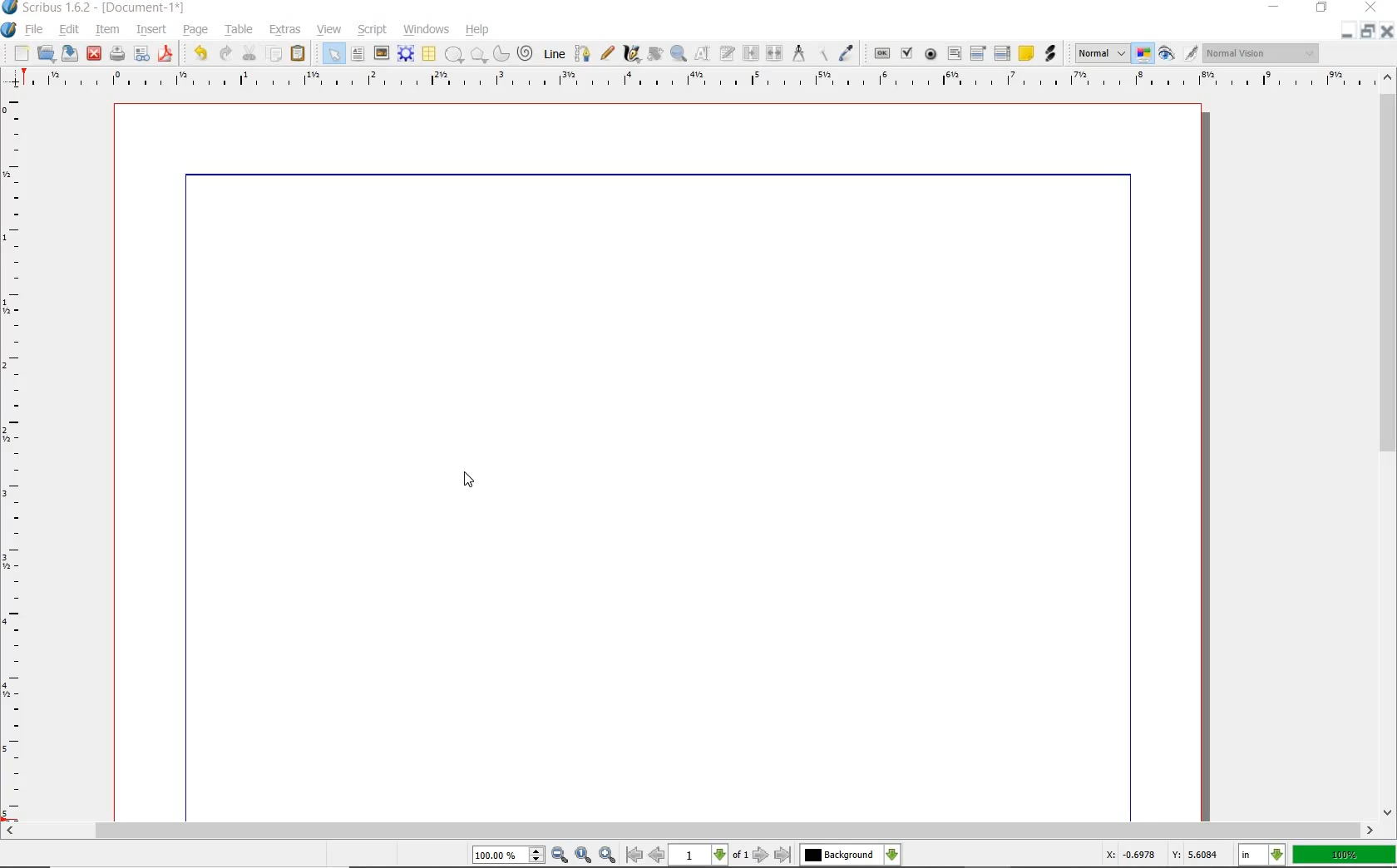  Describe the element at coordinates (1051, 54) in the screenshot. I see `LINK ANNOTATION` at that location.